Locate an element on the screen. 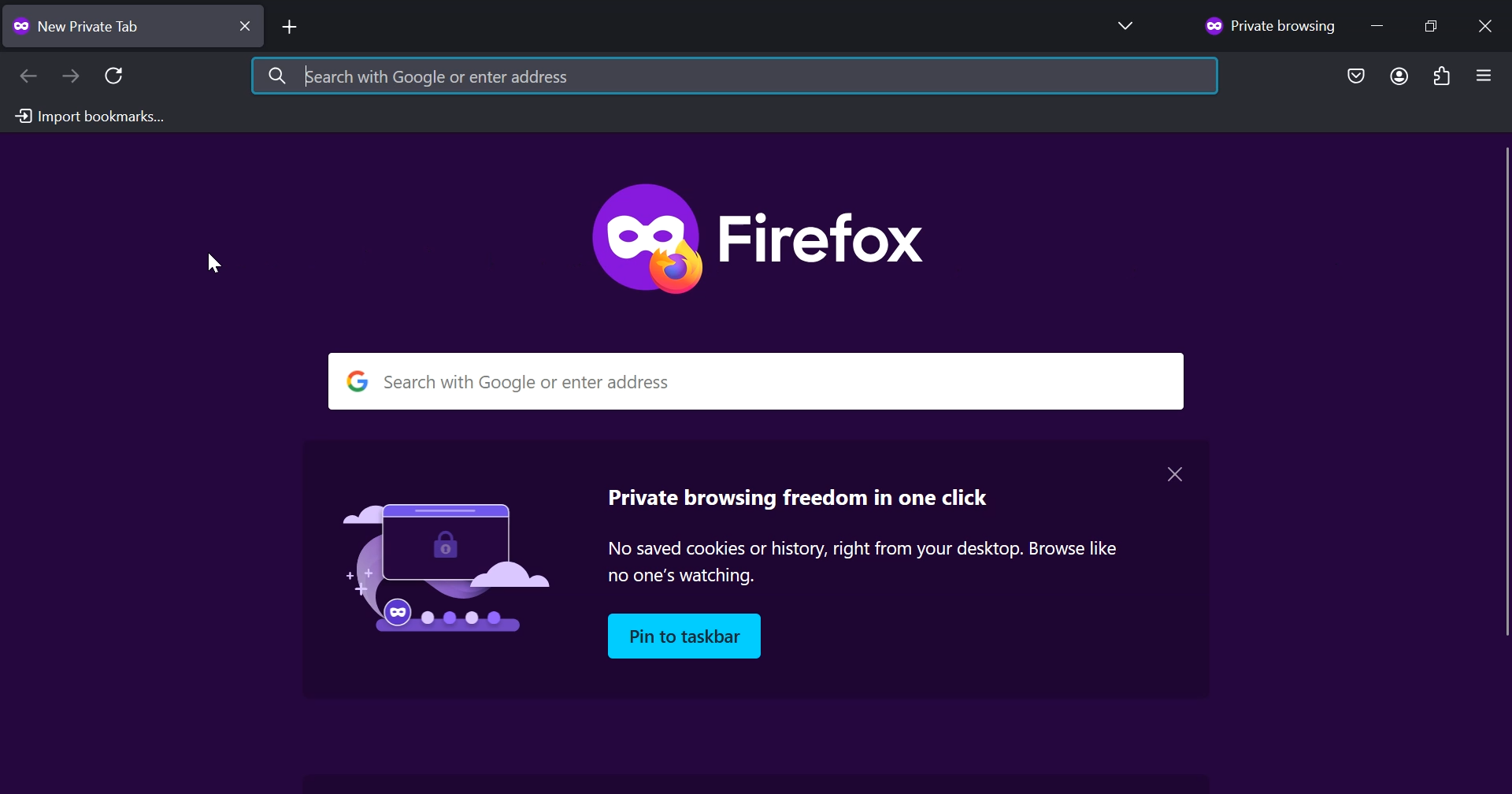 The height and width of the screenshot is (794, 1512). Forward is located at coordinates (70, 78).